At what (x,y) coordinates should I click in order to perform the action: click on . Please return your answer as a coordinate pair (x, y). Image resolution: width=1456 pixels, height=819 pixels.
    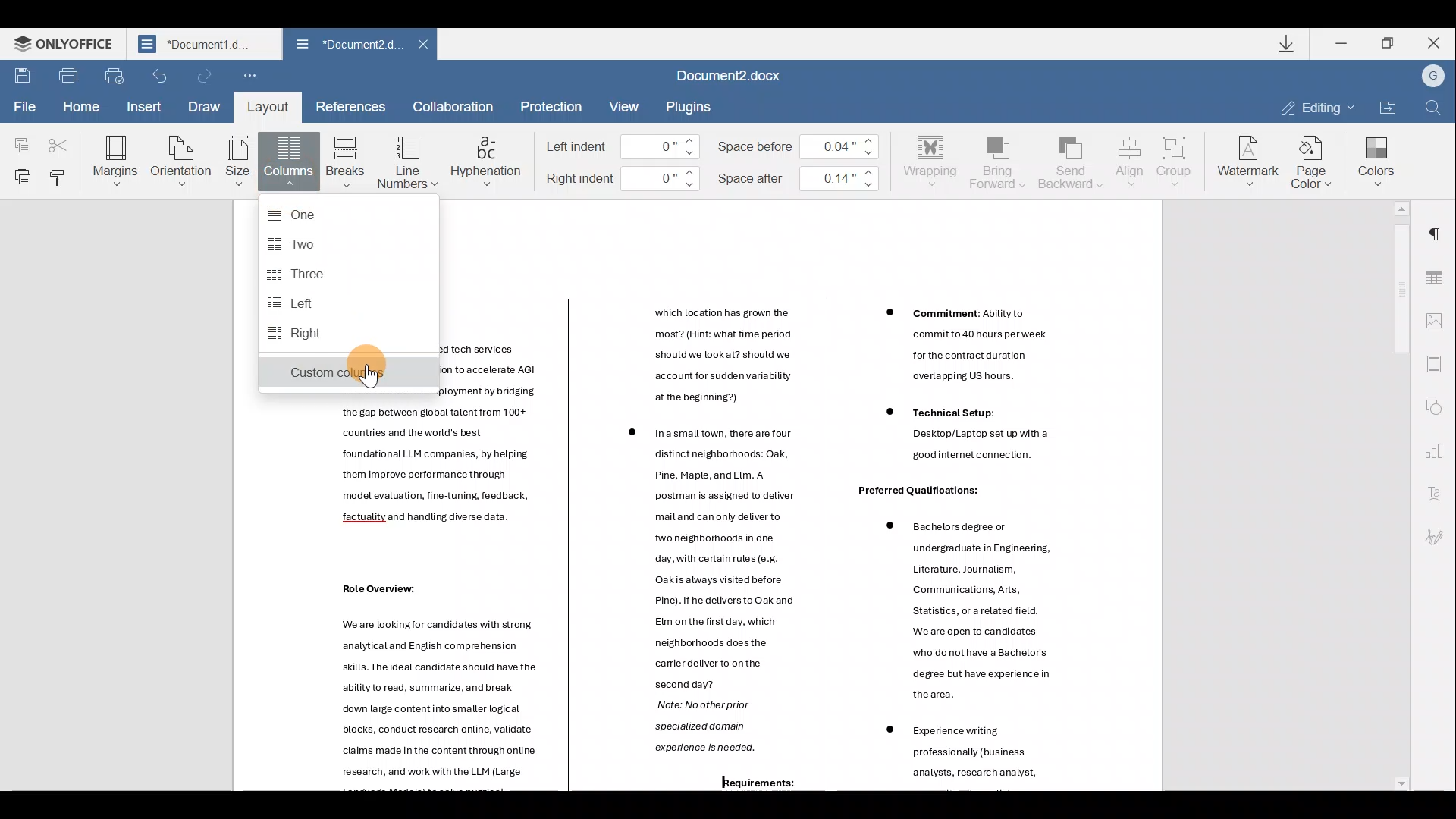
    Looking at the image, I should click on (433, 477).